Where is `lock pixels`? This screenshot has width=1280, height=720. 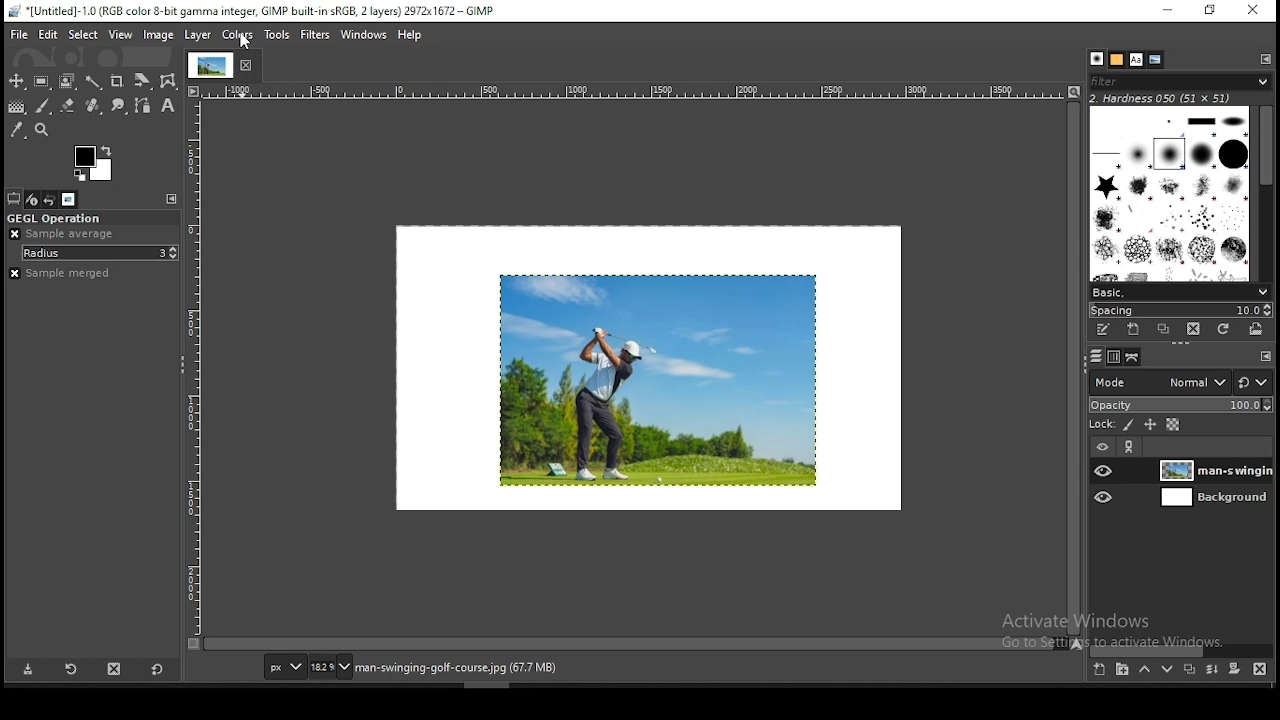
lock pixels is located at coordinates (1128, 425).